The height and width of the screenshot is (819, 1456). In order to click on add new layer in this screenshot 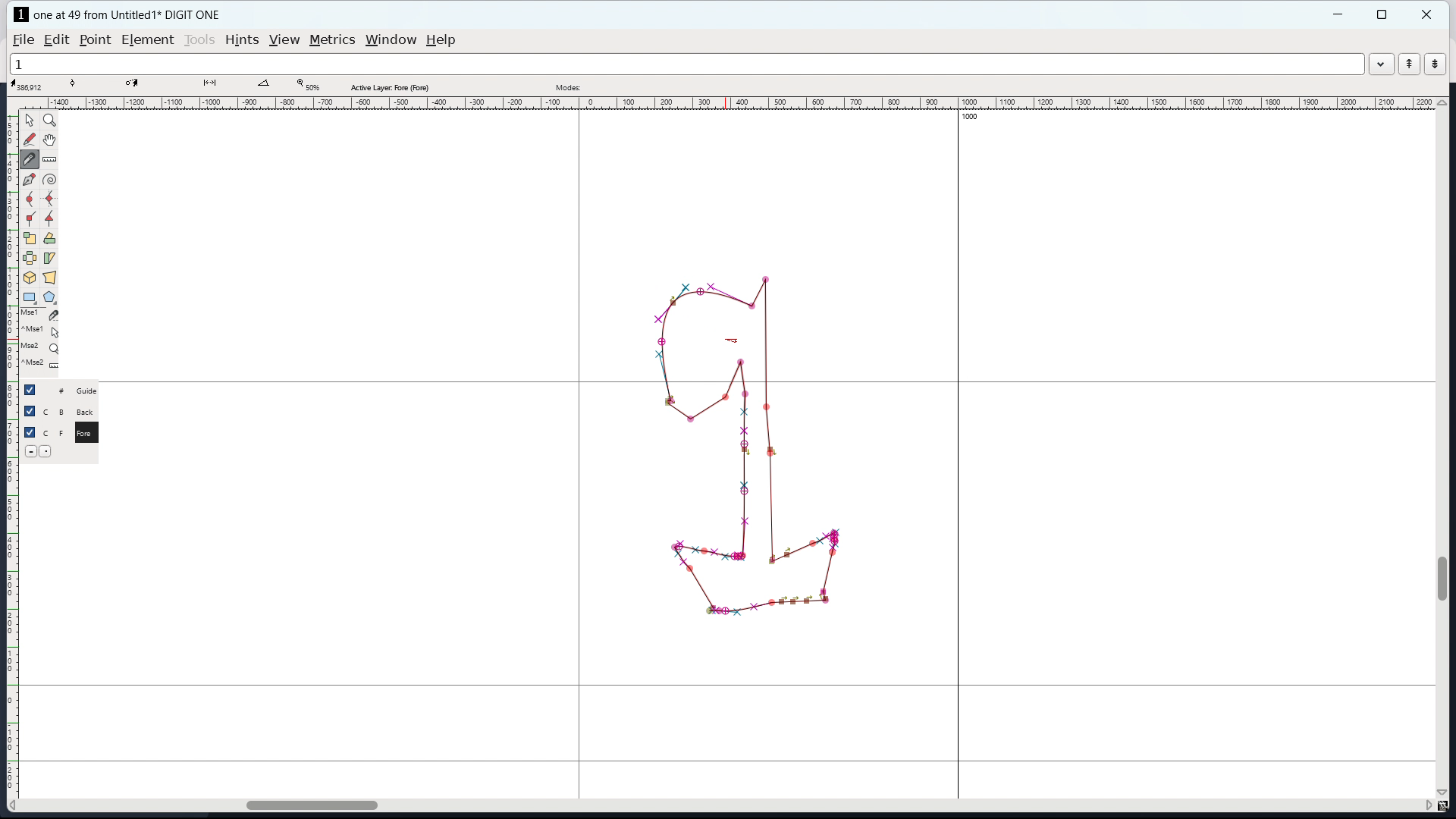, I will do `click(48, 450)`.